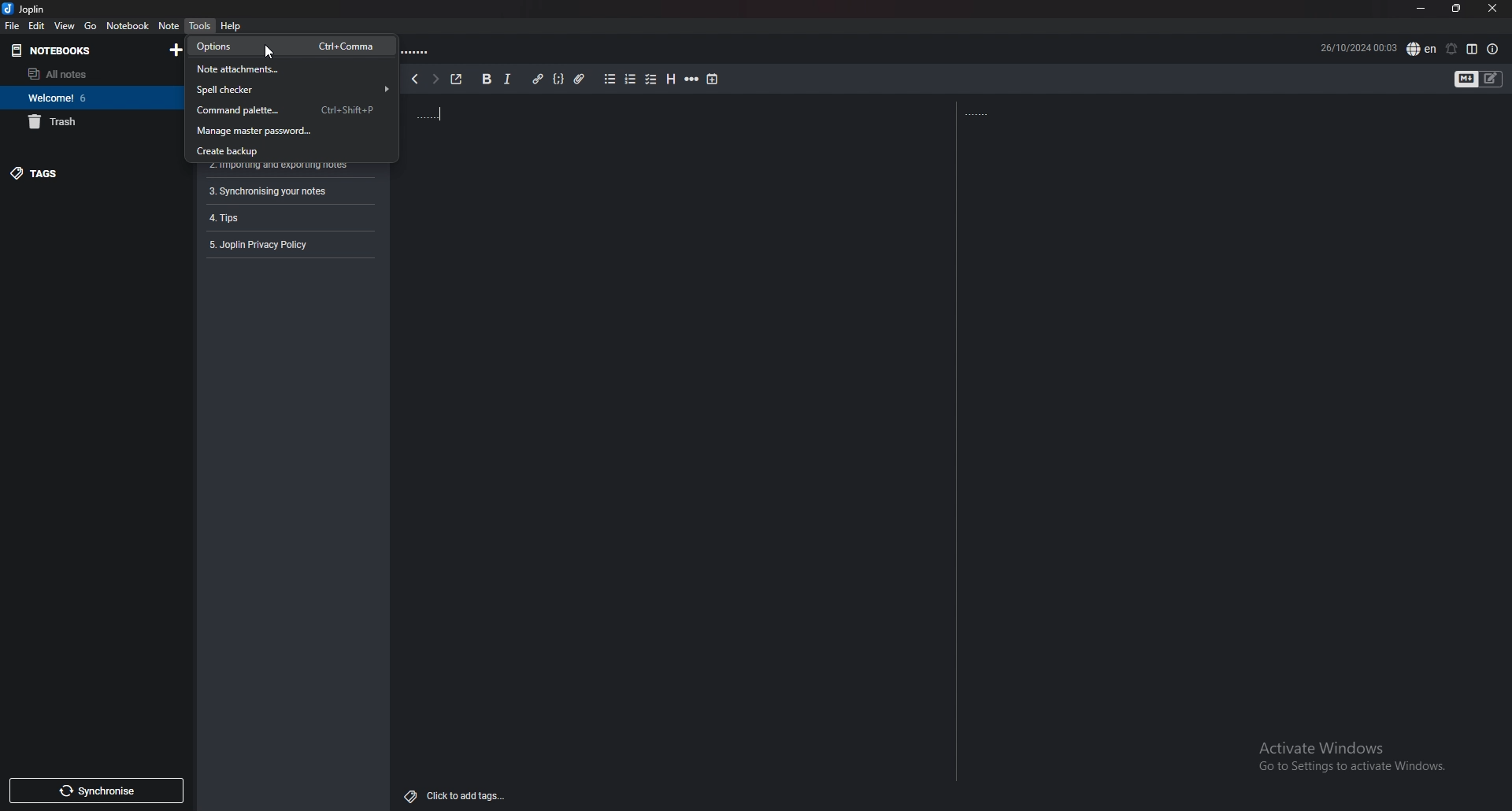 This screenshot has height=811, width=1512. Describe the element at coordinates (457, 791) in the screenshot. I see `Click to add tags...` at that location.